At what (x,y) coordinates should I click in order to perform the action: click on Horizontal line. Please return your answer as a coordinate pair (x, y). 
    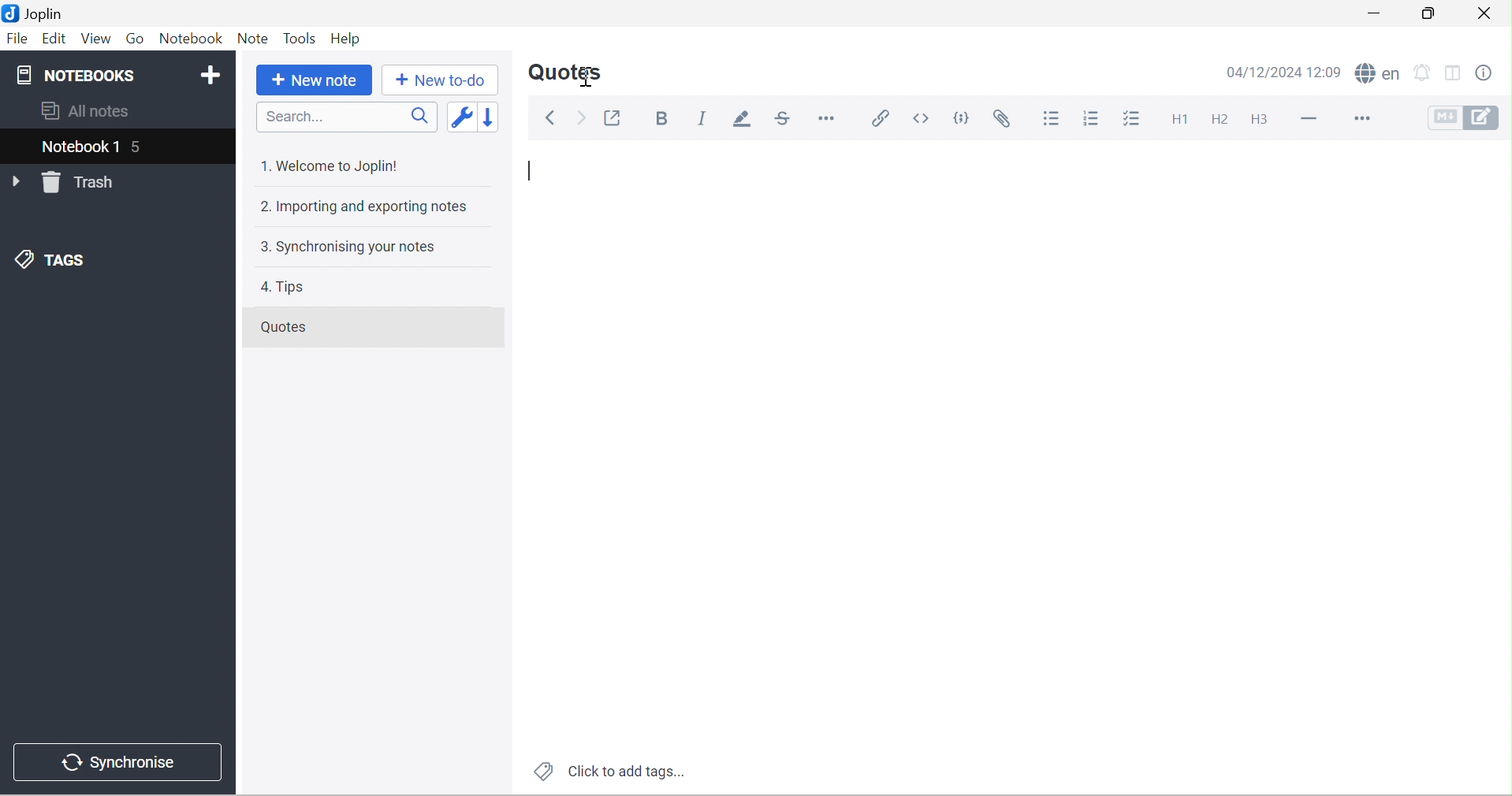
    Looking at the image, I should click on (1304, 121).